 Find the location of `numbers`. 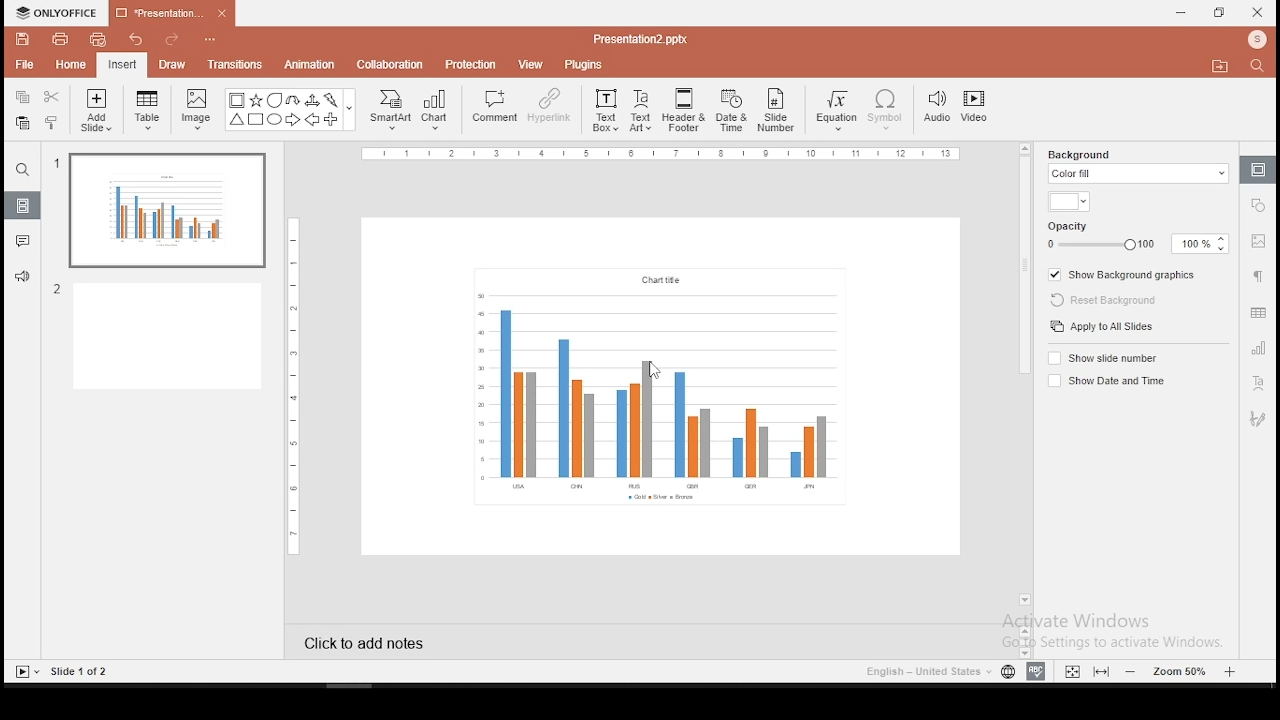

numbers is located at coordinates (59, 229).